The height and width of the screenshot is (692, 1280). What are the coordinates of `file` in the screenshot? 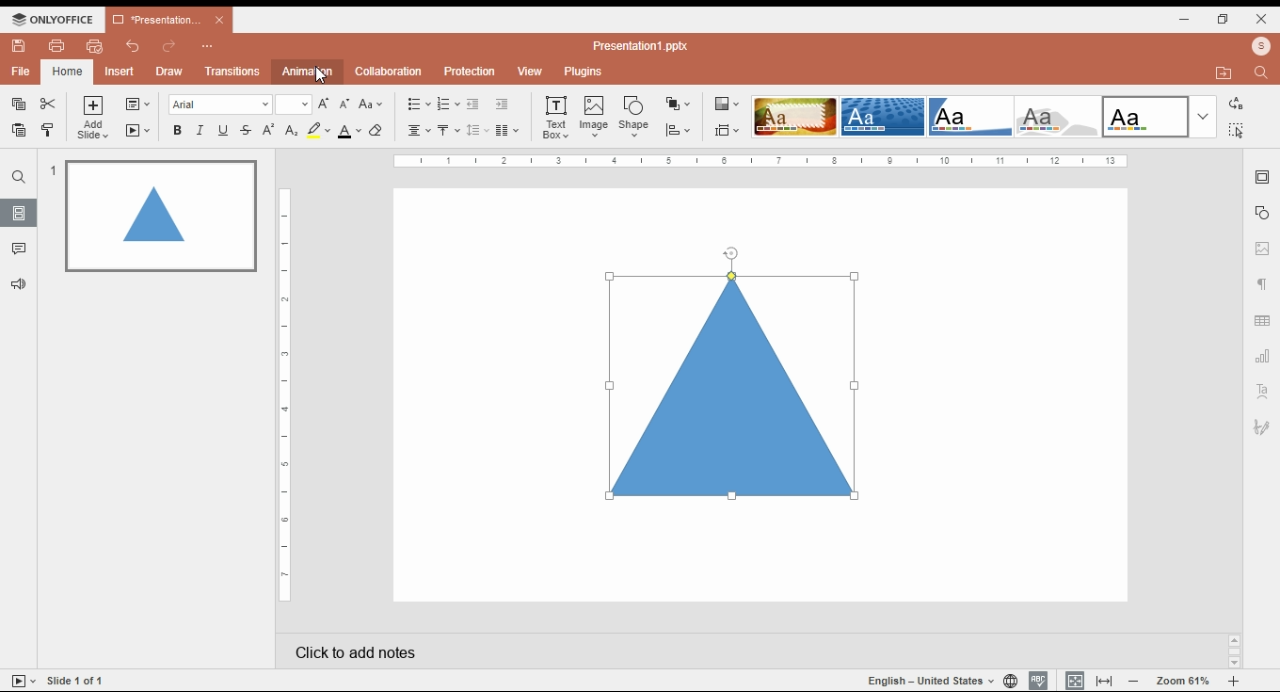 It's located at (21, 71).